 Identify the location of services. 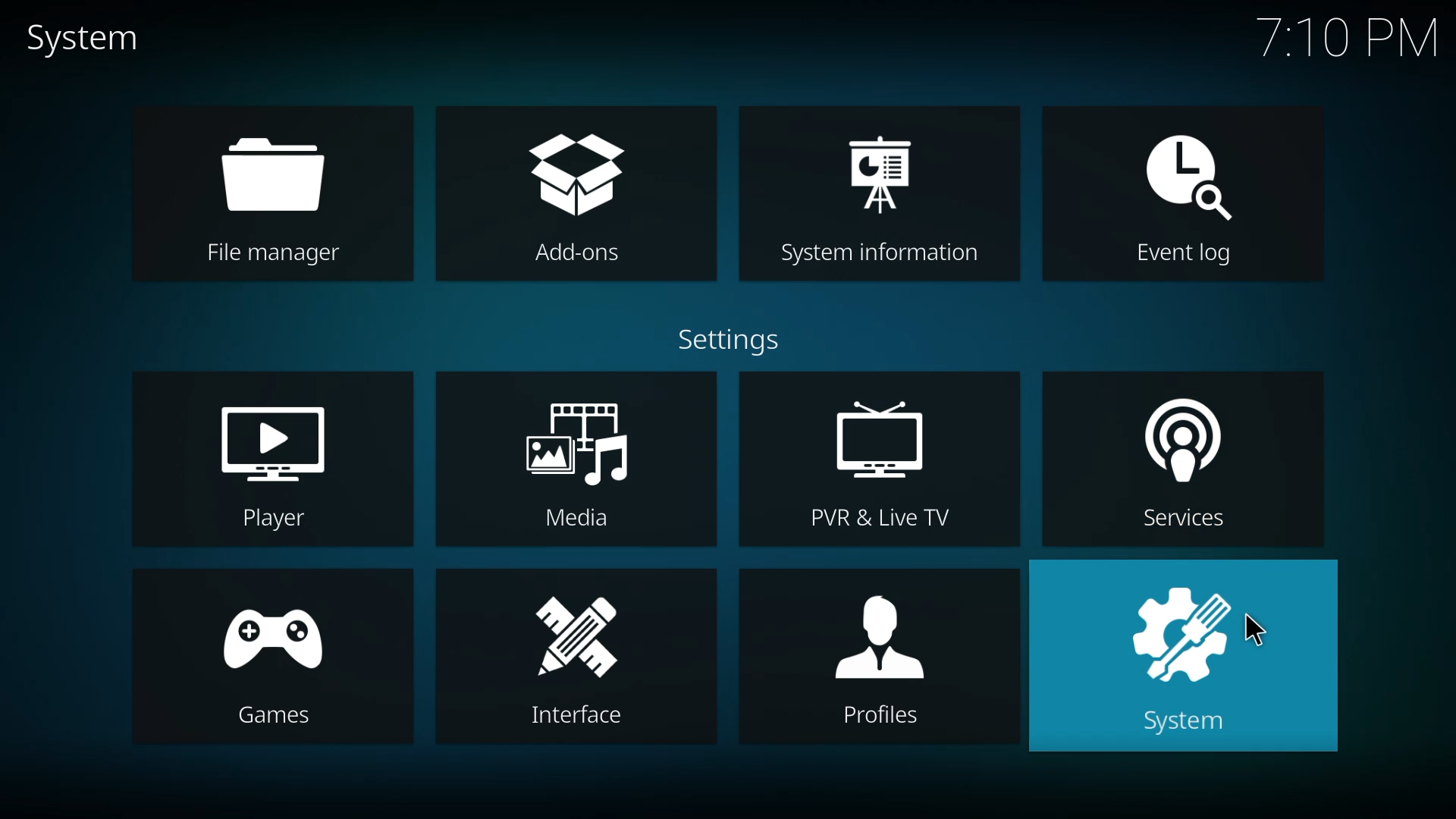
(1181, 458).